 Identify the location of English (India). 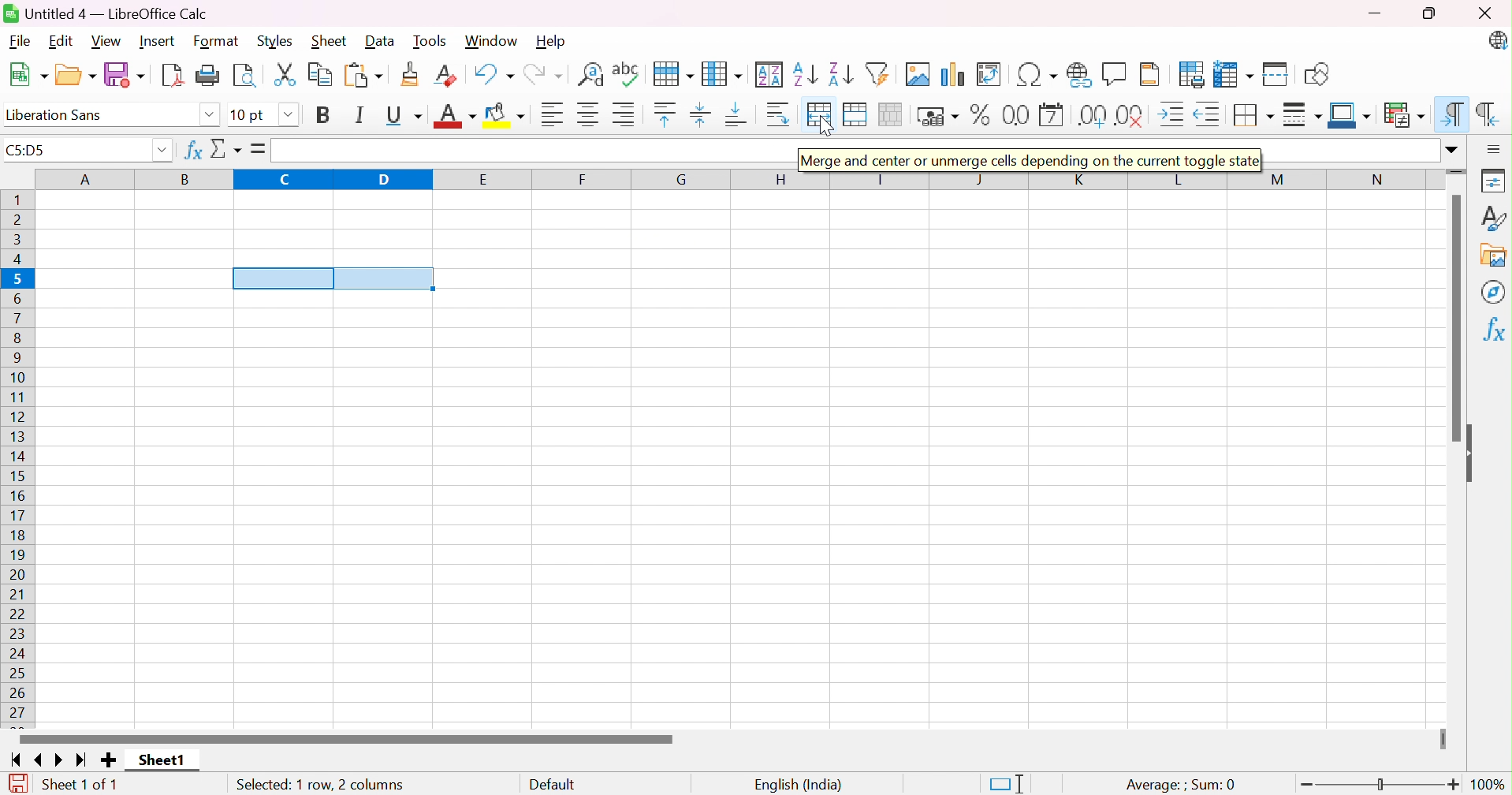
(799, 782).